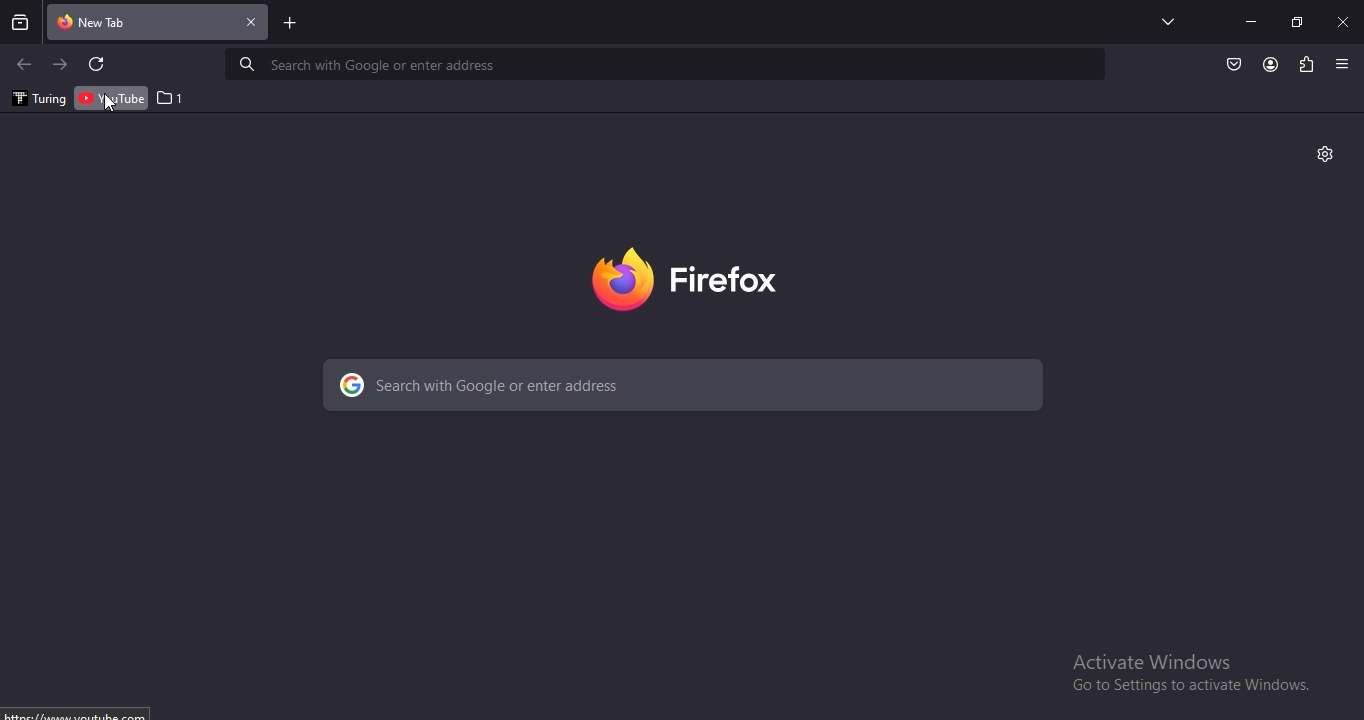 The image size is (1364, 720). I want to click on Search with Google or enter address, so click(365, 66).